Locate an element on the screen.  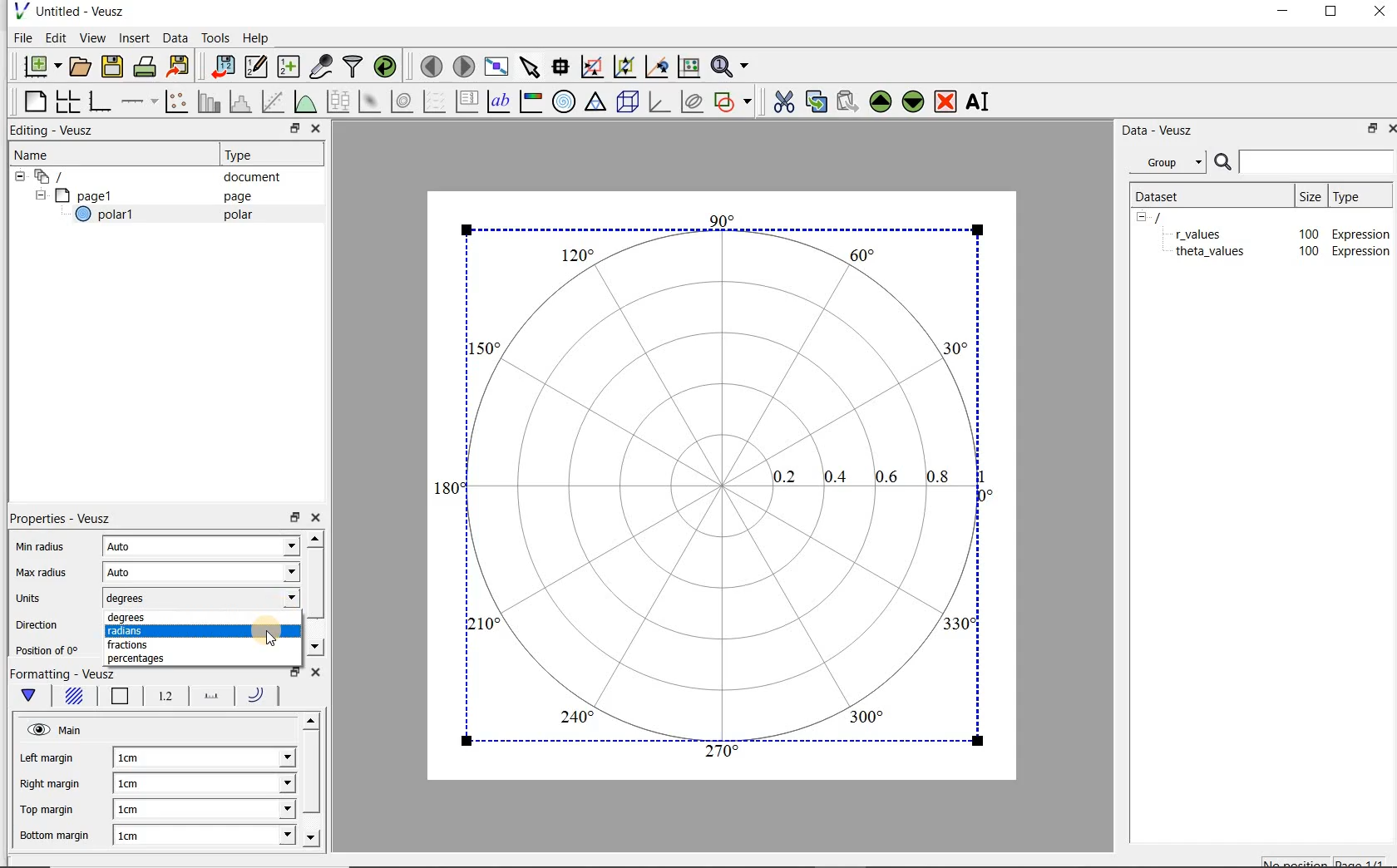
Max radius dropdown is located at coordinates (275, 573).